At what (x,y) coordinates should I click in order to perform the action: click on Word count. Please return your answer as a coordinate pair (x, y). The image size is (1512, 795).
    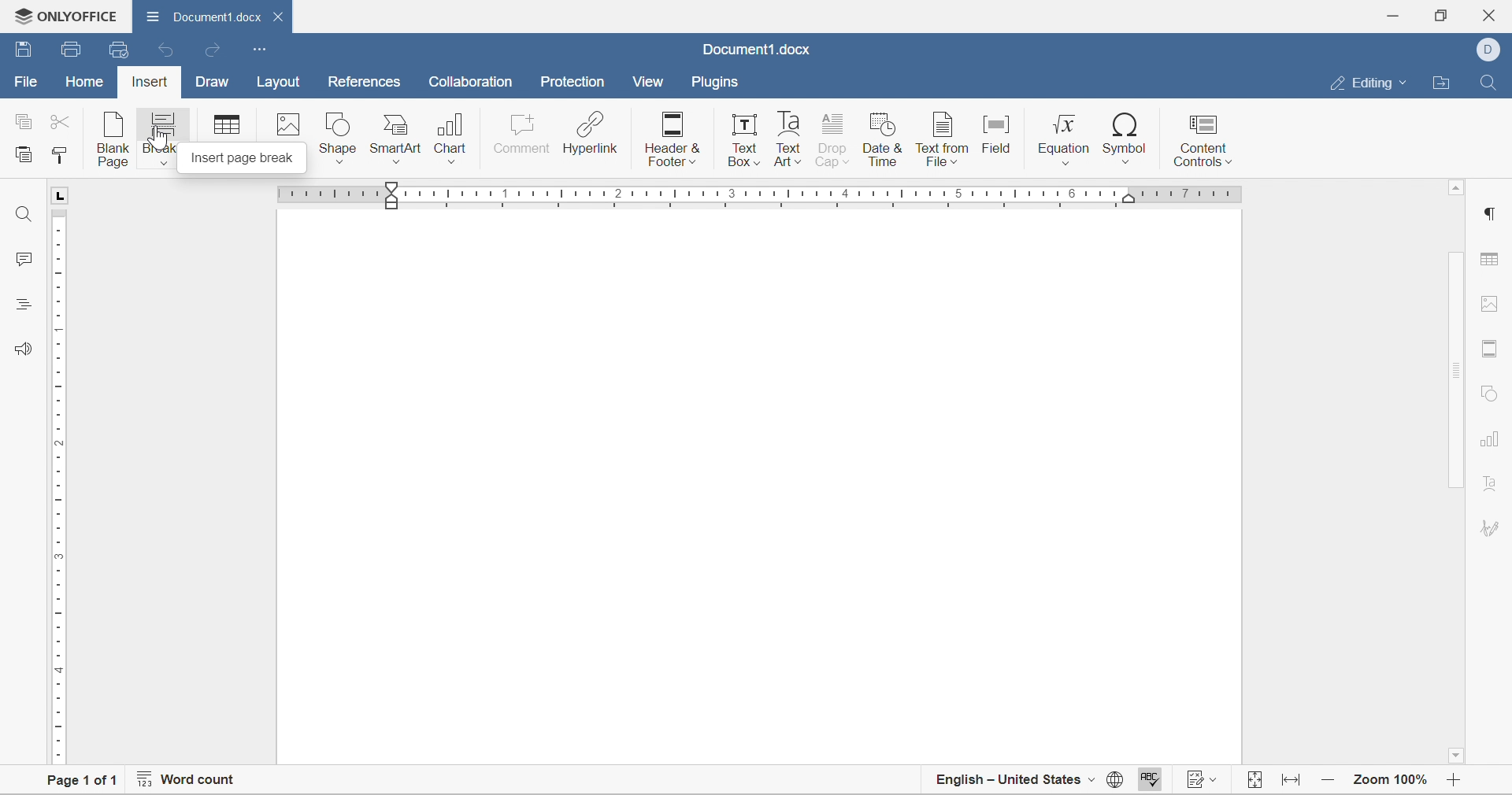
    Looking at the image, I should click on (187, 782).